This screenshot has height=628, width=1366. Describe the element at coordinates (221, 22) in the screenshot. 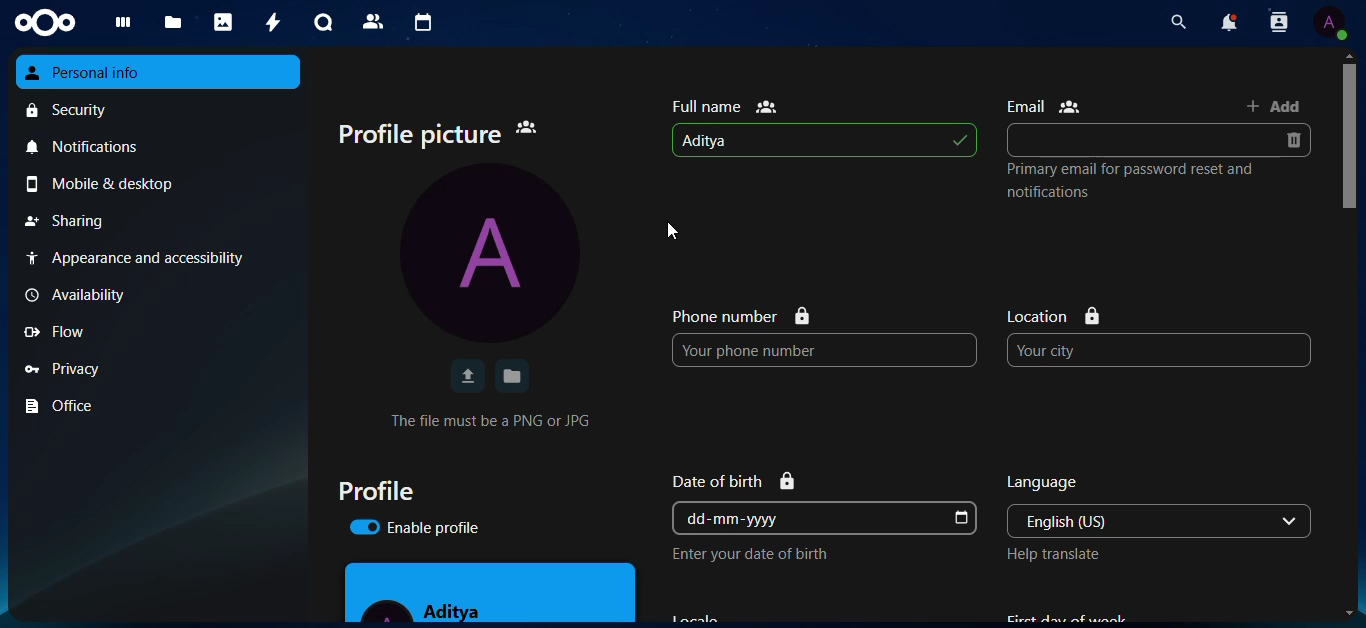

I see `photos` at that location.